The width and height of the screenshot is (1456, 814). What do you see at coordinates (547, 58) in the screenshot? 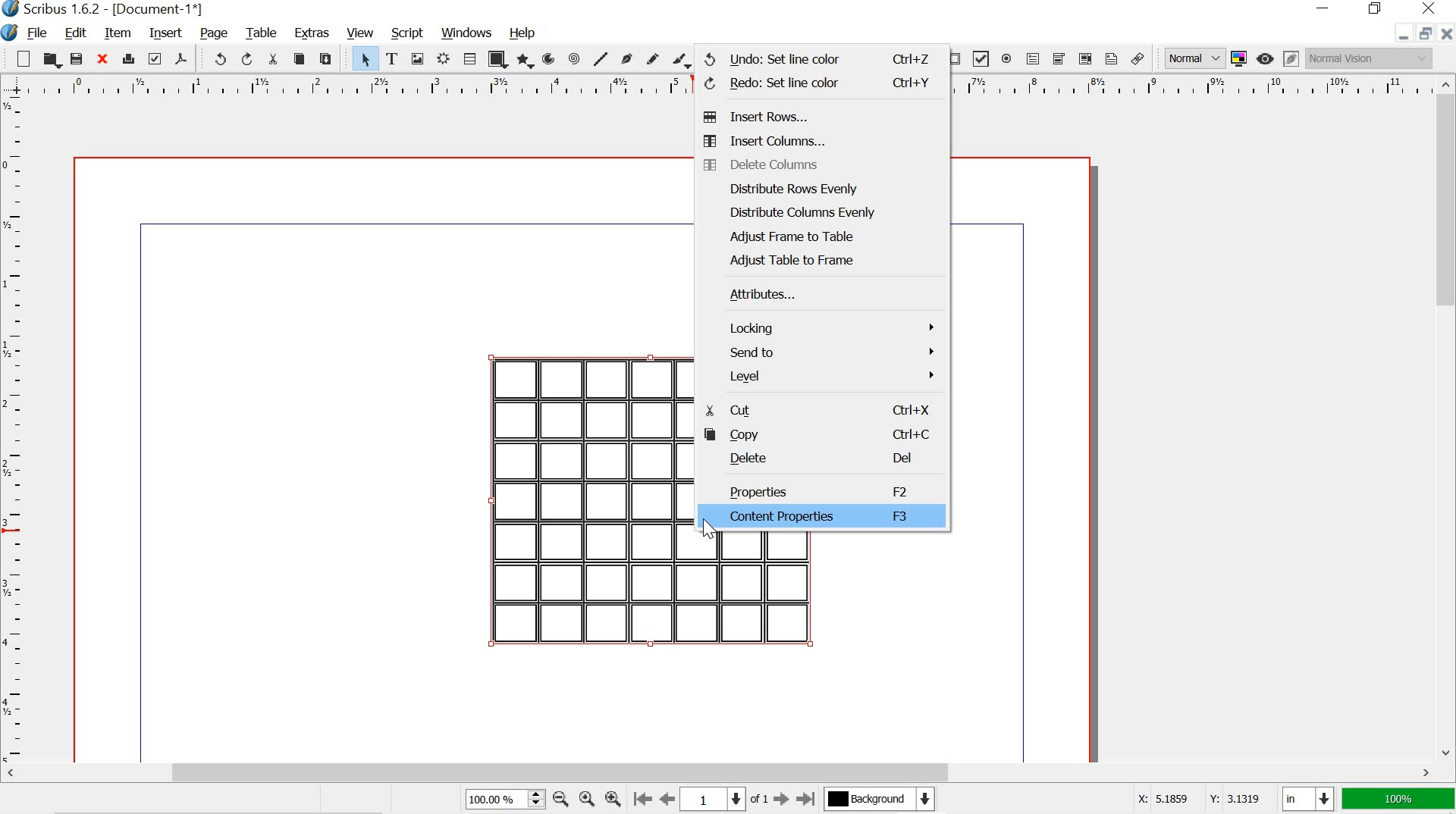
I see `arc` at bounding box center [547, 58].